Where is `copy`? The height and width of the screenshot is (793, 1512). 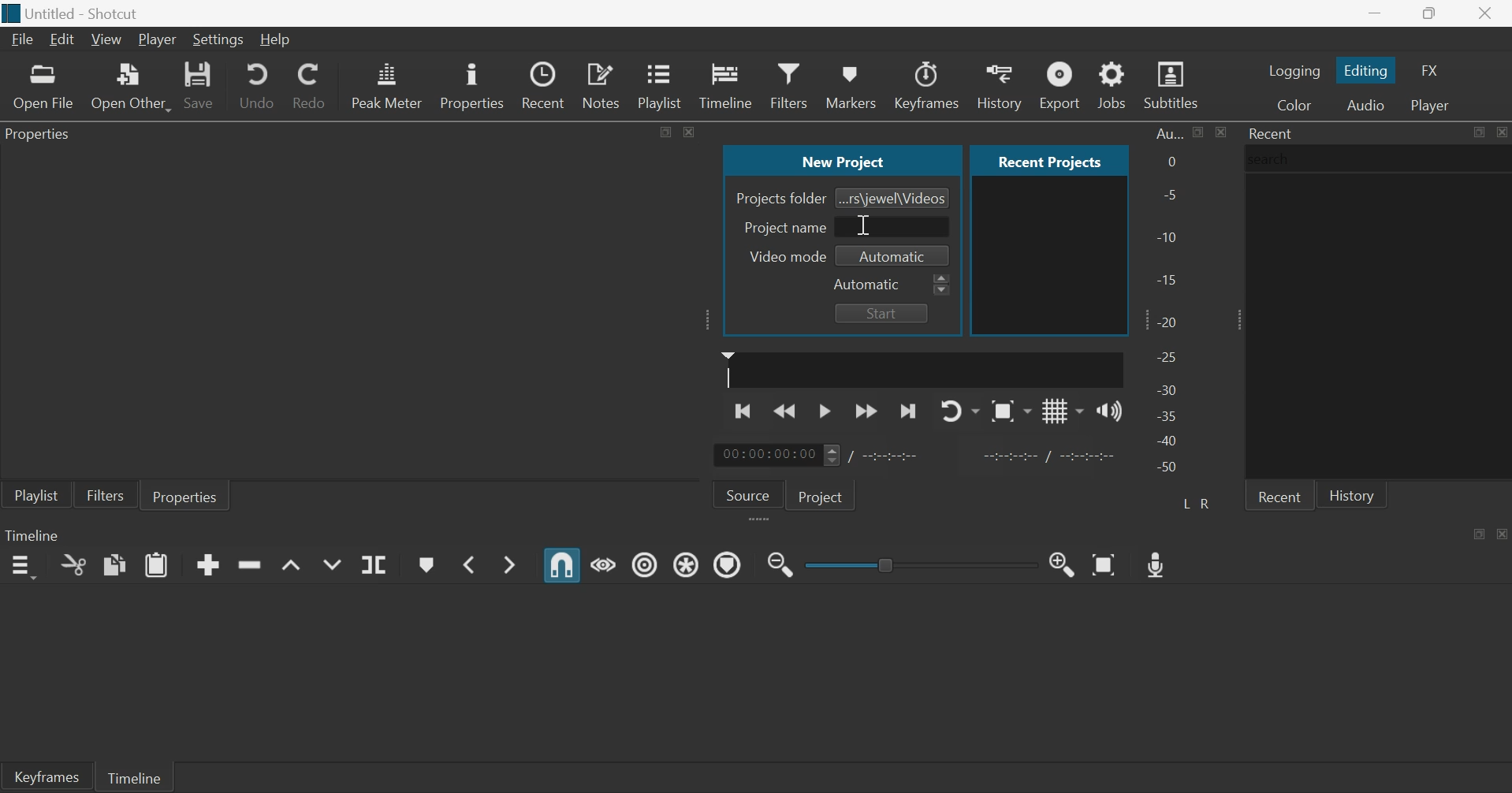
copy is located at coordinates (115, 564).